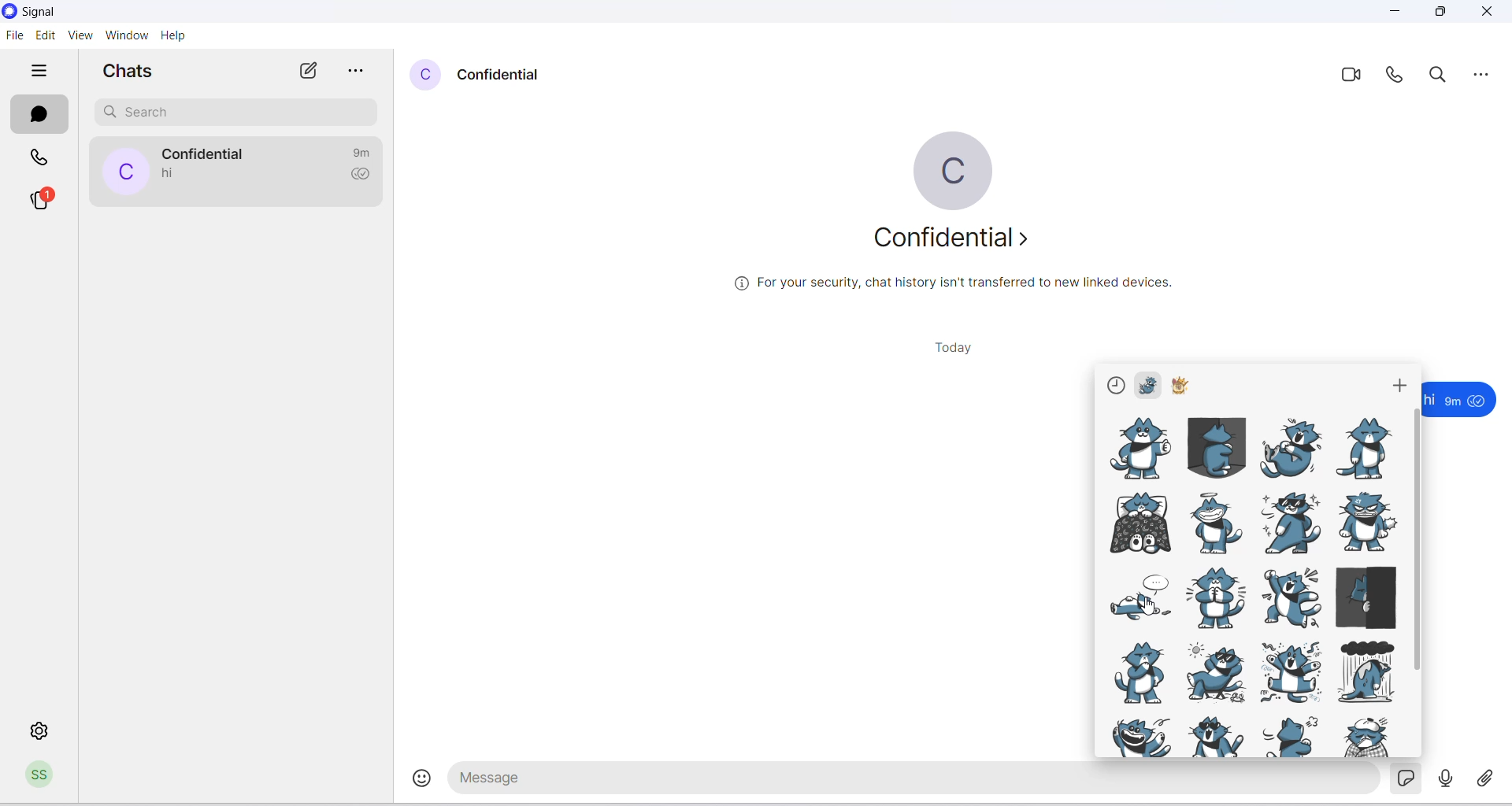 The height and width of the screenshot is (806, 1512). What do you see at coordinates (171, 174) in the screenshot?
I see `last message` at bounding box center [171, 174].